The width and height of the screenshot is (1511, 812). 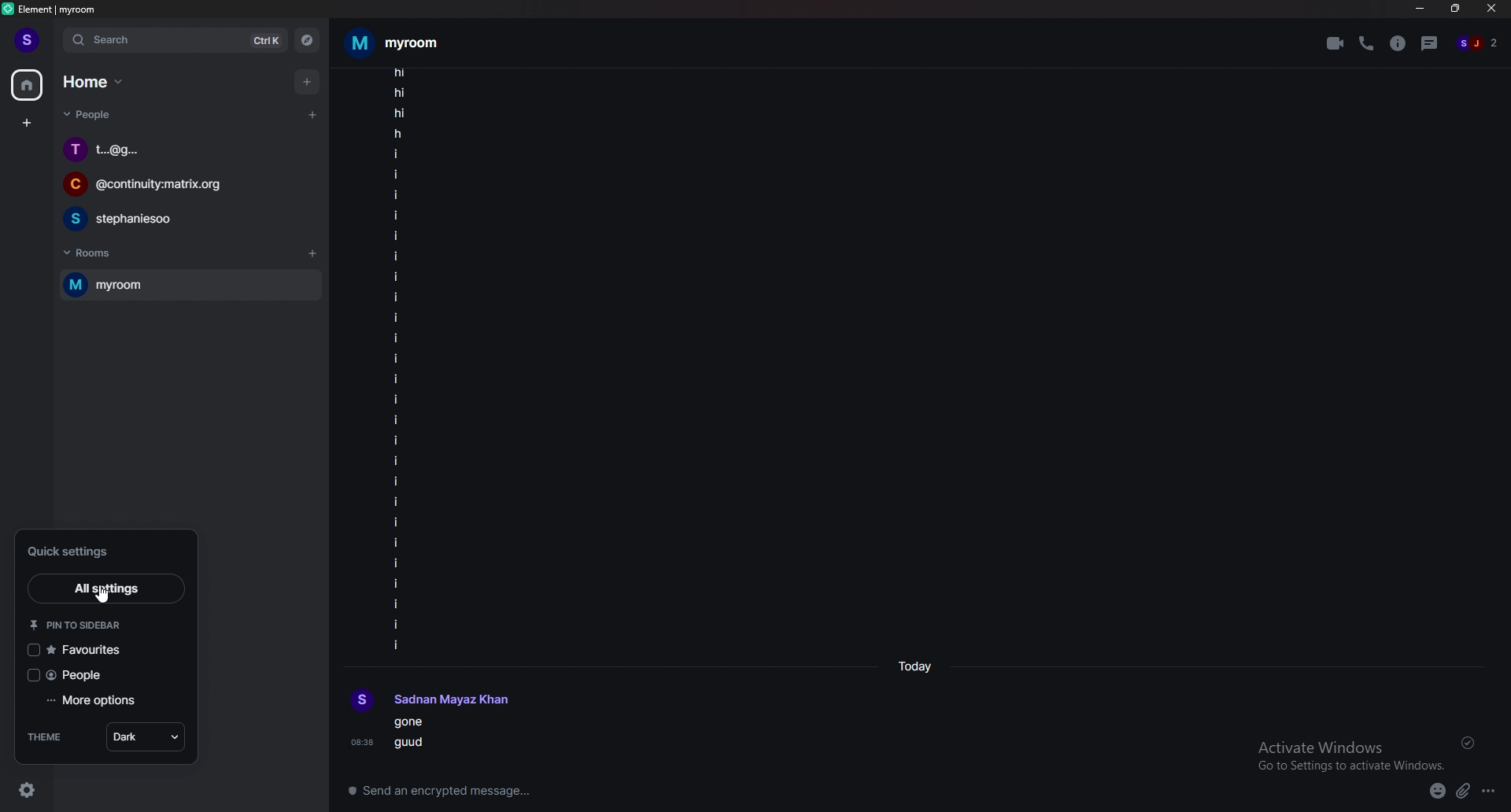 What do you see at coordinates (1349, 750) in the screenshot?
I see `Activate Windows` at bounding box center [1349, 750].